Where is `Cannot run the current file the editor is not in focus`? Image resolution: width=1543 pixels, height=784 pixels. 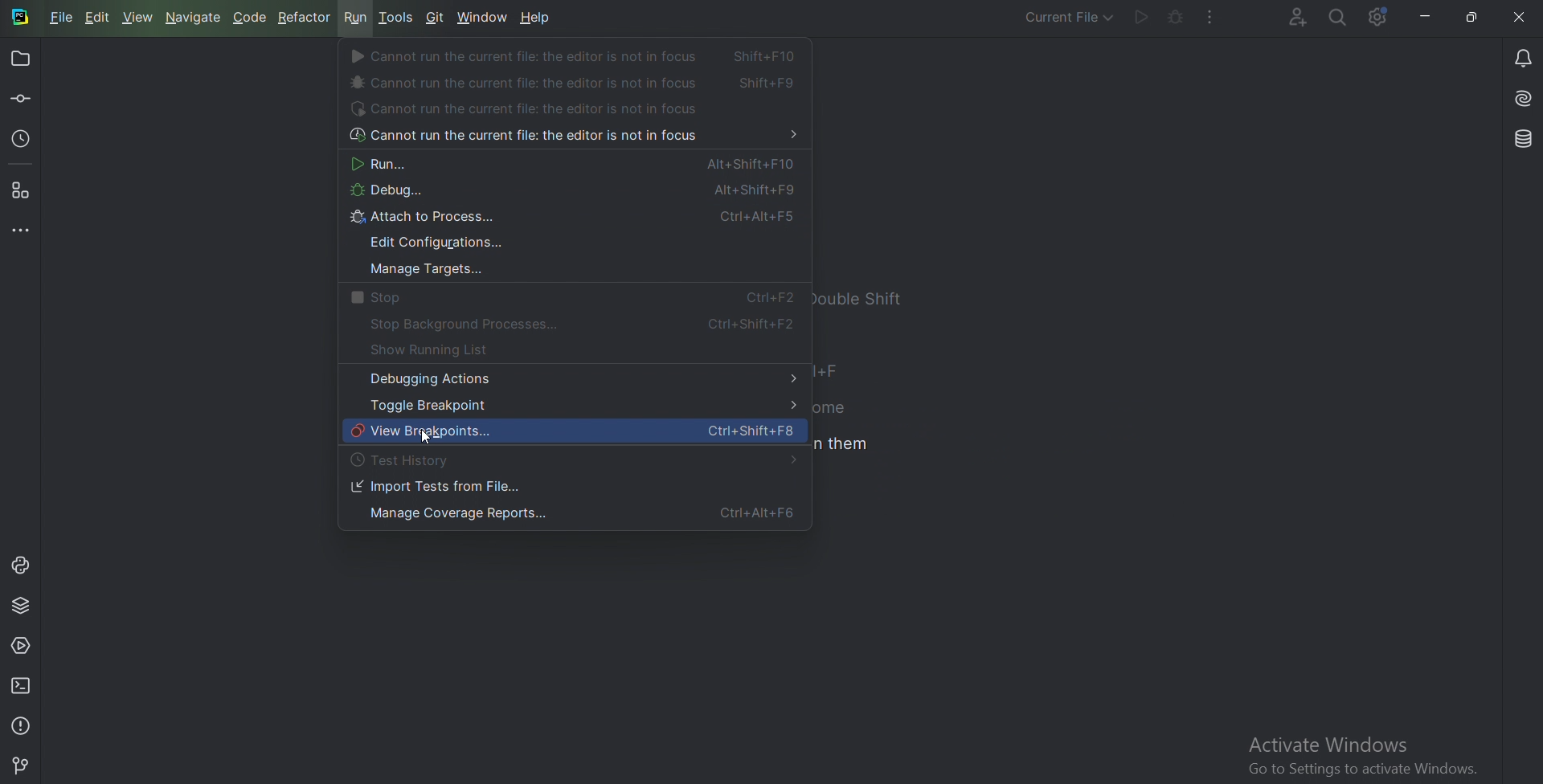 Cannot run the current file the editor is not in focus is located at coordinates (571, 137).